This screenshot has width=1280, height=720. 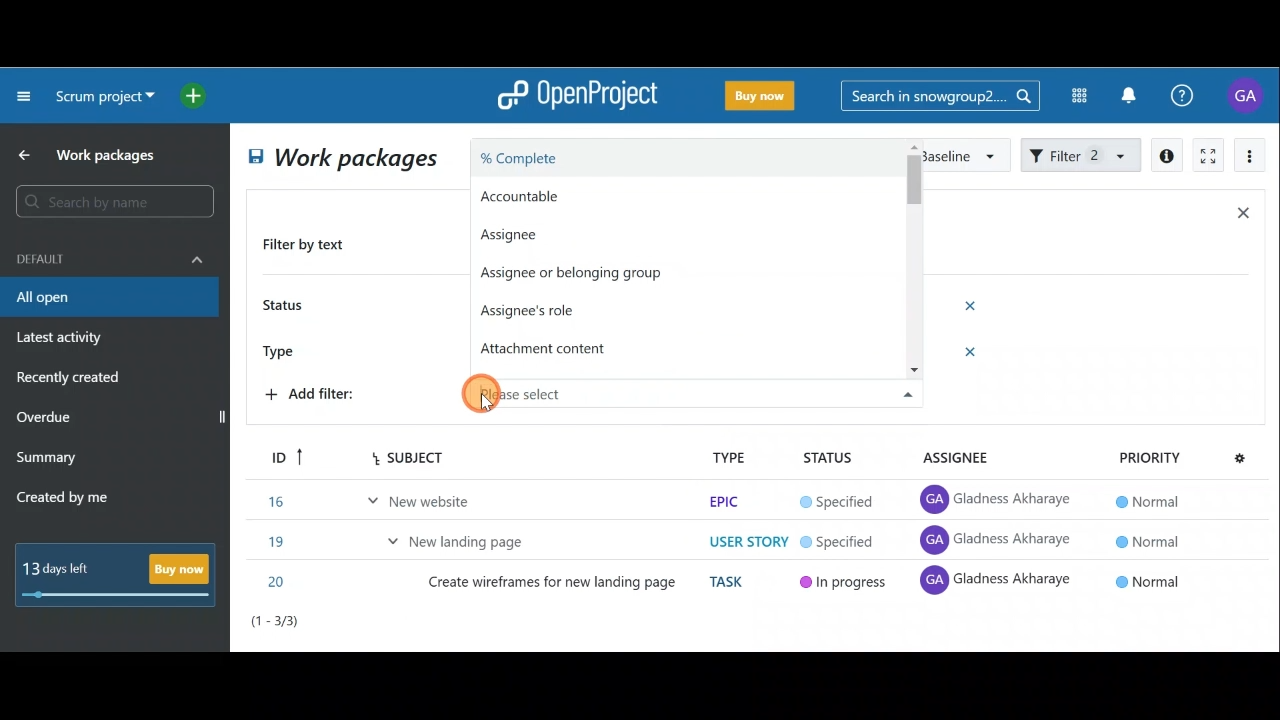 What do you see at coordinates (848, 543) in the screenshot?
I see `Gladnes:` at bounding box center [848, 543].